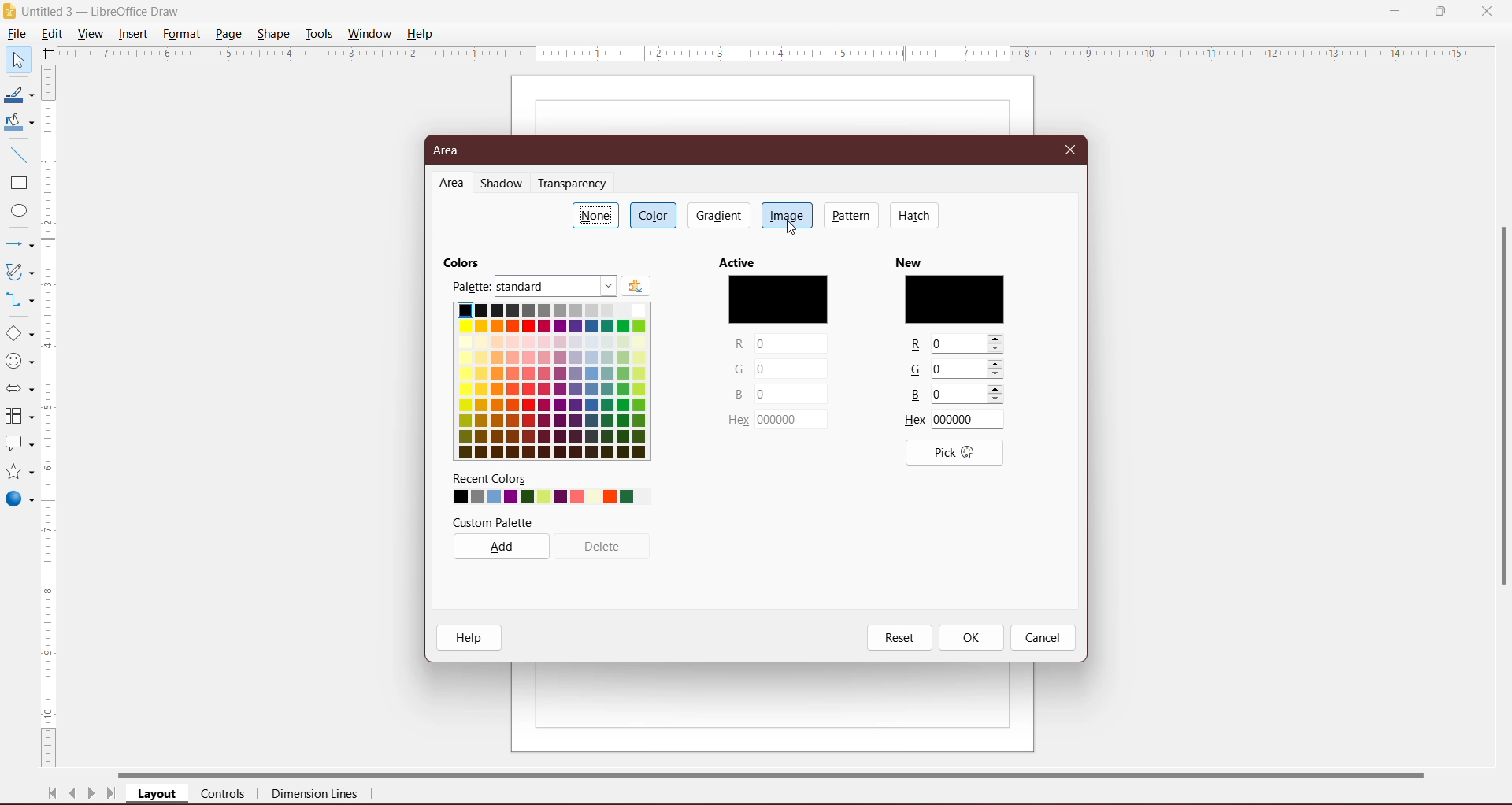 This screenshot has width=1512, height=805. Describe the element at coordinates (451, 150) in the screenshot. I see `Area` at that location.